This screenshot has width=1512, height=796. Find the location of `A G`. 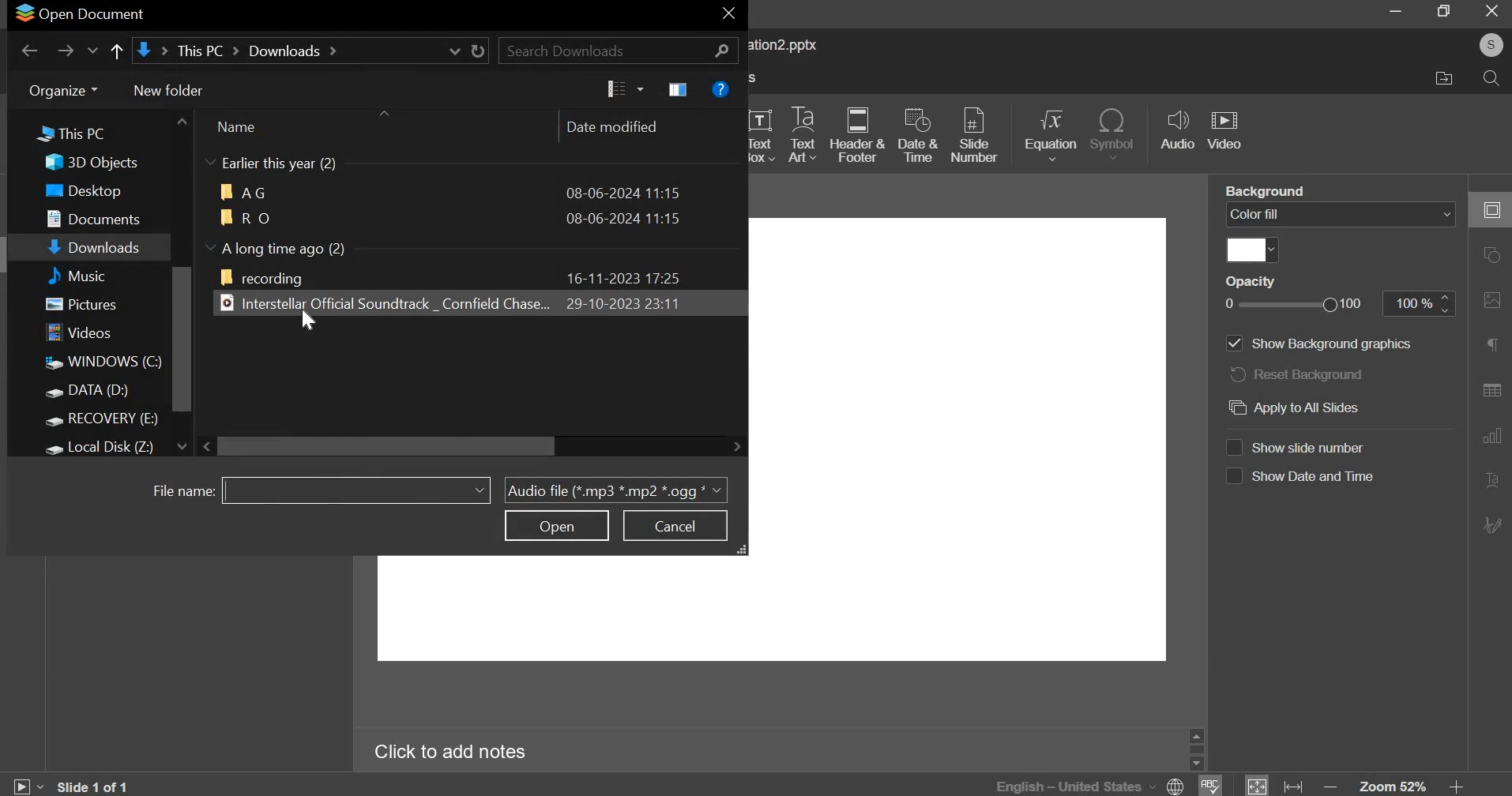

A G is located at coordinates (245, 192).